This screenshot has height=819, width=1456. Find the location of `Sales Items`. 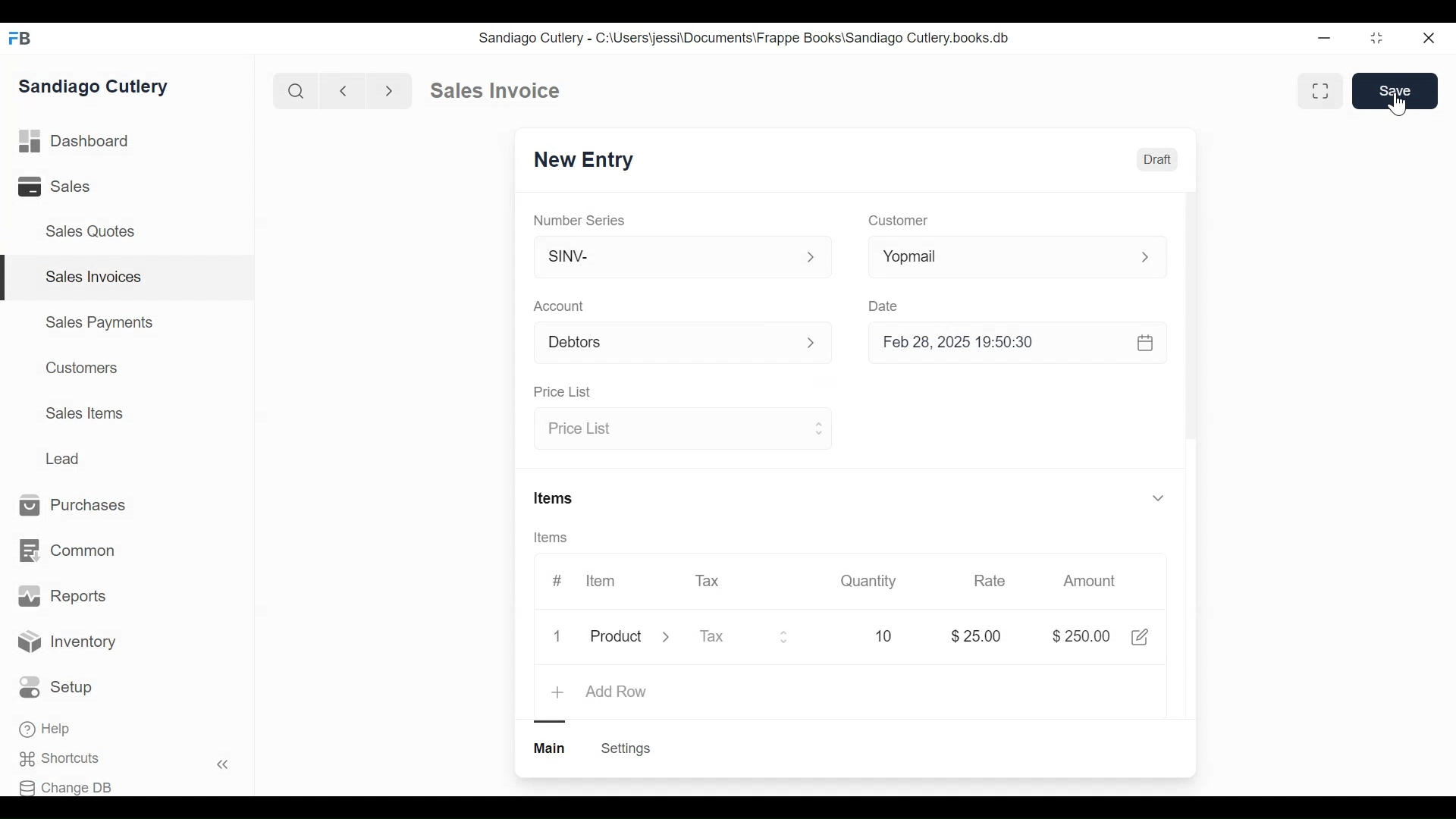

Sales Items is located at coordinates (84, 412).